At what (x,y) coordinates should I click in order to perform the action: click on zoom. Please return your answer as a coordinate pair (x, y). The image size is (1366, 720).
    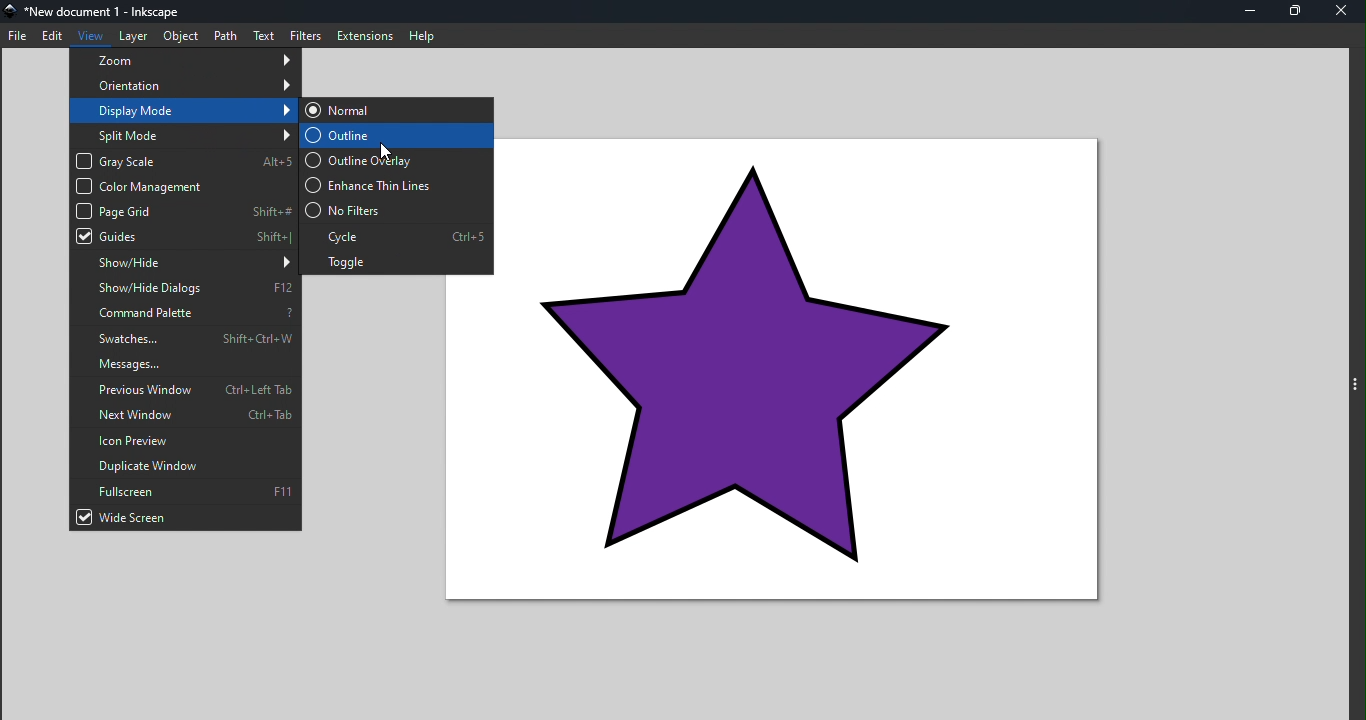
    Looking at the image, I should click on (186, 59).